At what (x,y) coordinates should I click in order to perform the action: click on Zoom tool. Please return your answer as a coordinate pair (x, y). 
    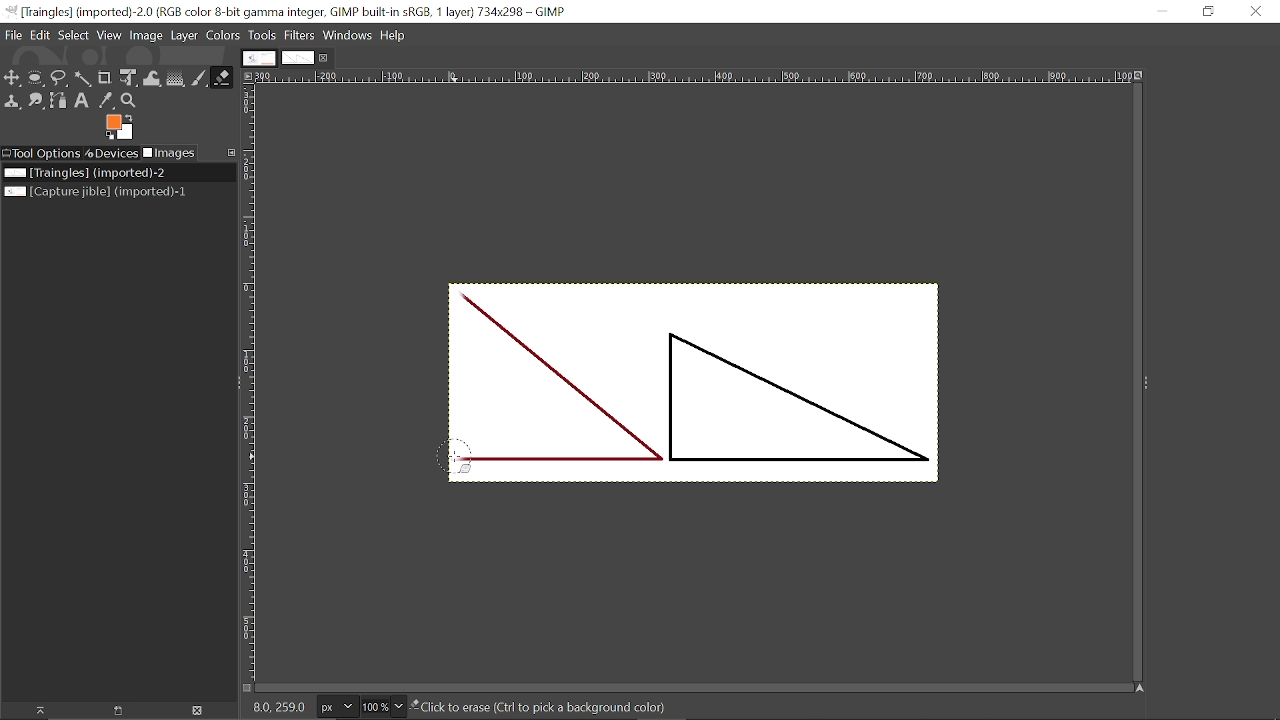
    Looking at the image, I should click on (128, 101).